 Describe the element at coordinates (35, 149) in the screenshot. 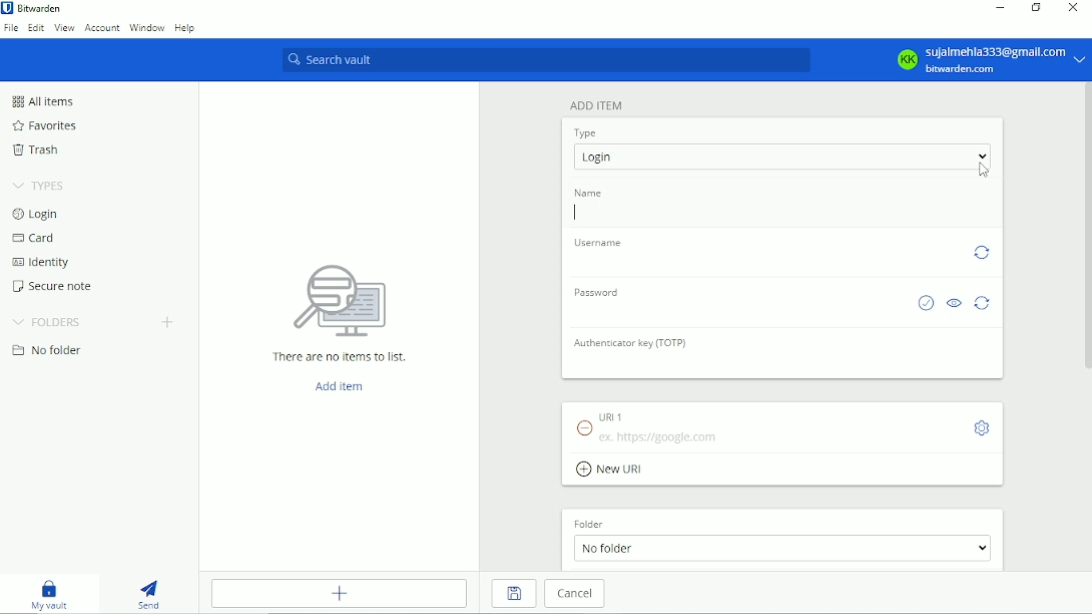

I see `Trash` at that location.